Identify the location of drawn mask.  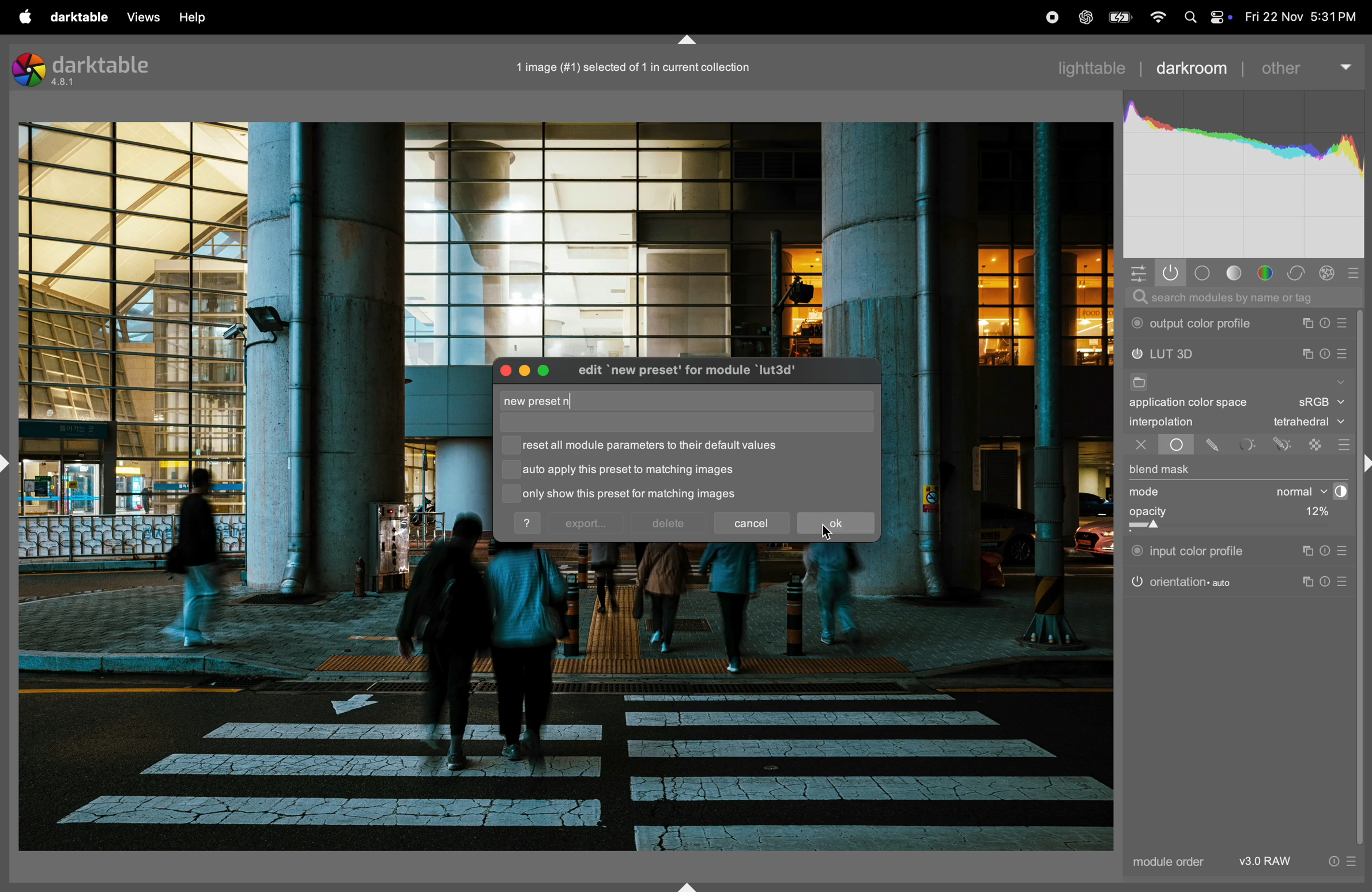
(1215, 445).